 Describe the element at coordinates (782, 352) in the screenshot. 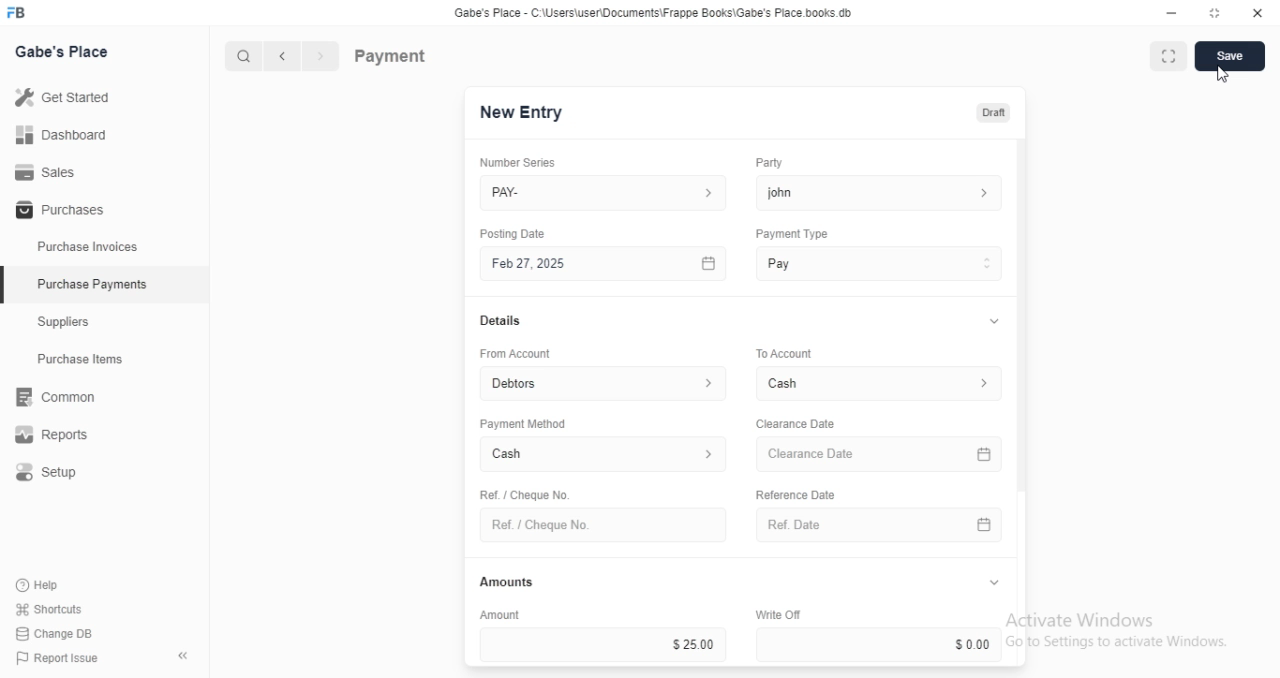

I see `To Account` at that location.